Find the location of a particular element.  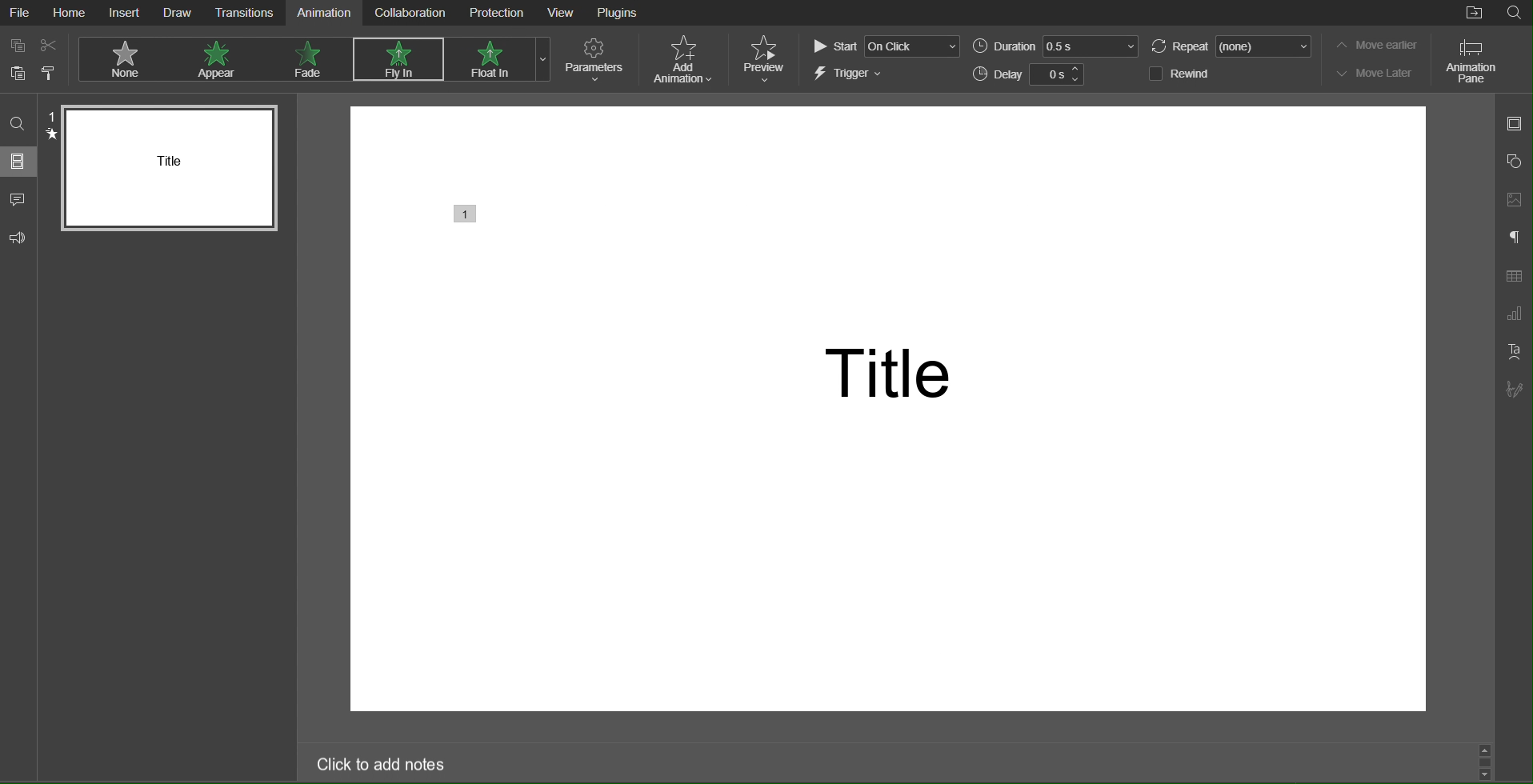

Search is located at coordinates (1514, 14).